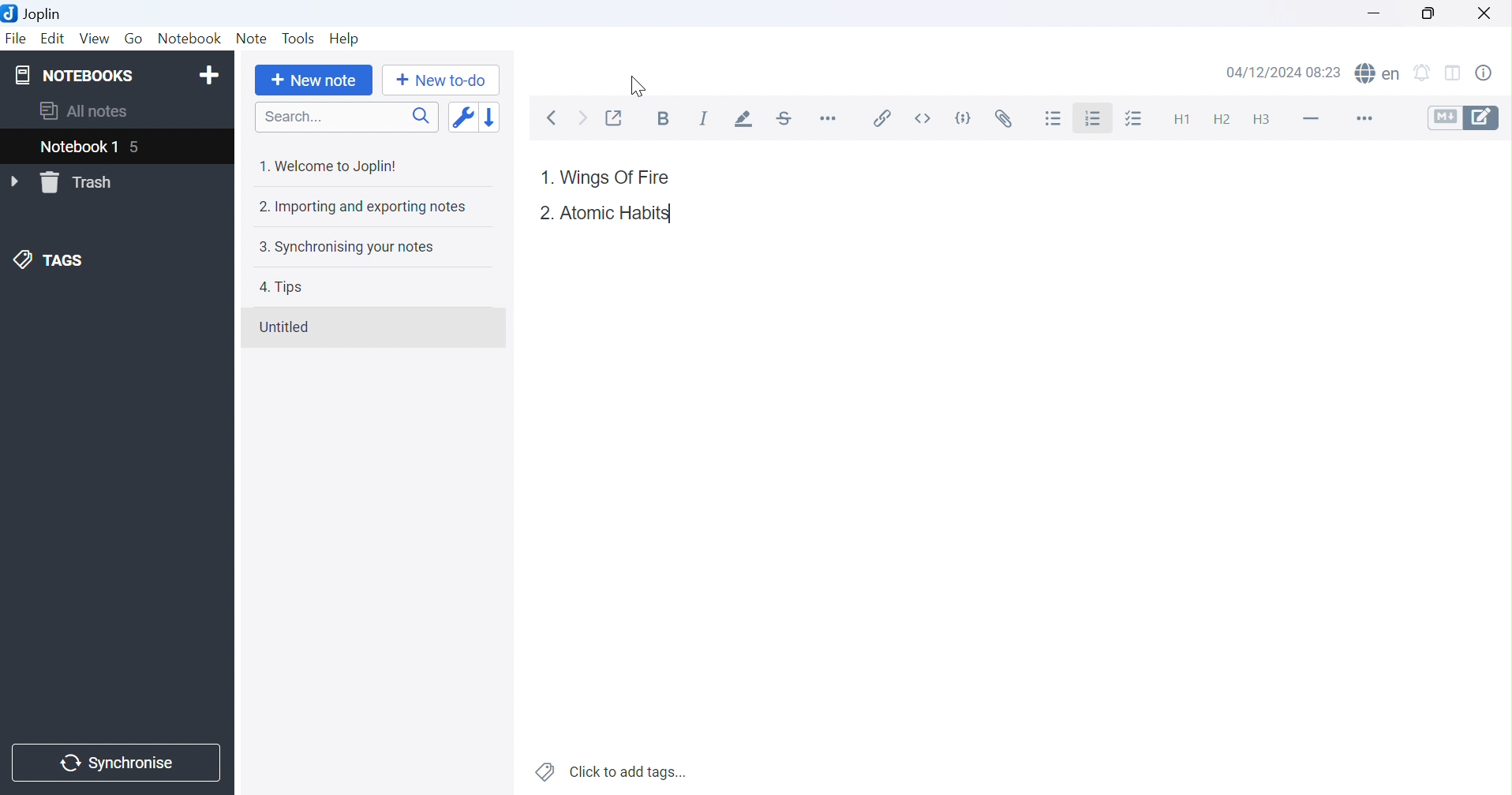  Describe the element at coordinates (51, 261) in the screenshot. I see `TAGS` at that location.